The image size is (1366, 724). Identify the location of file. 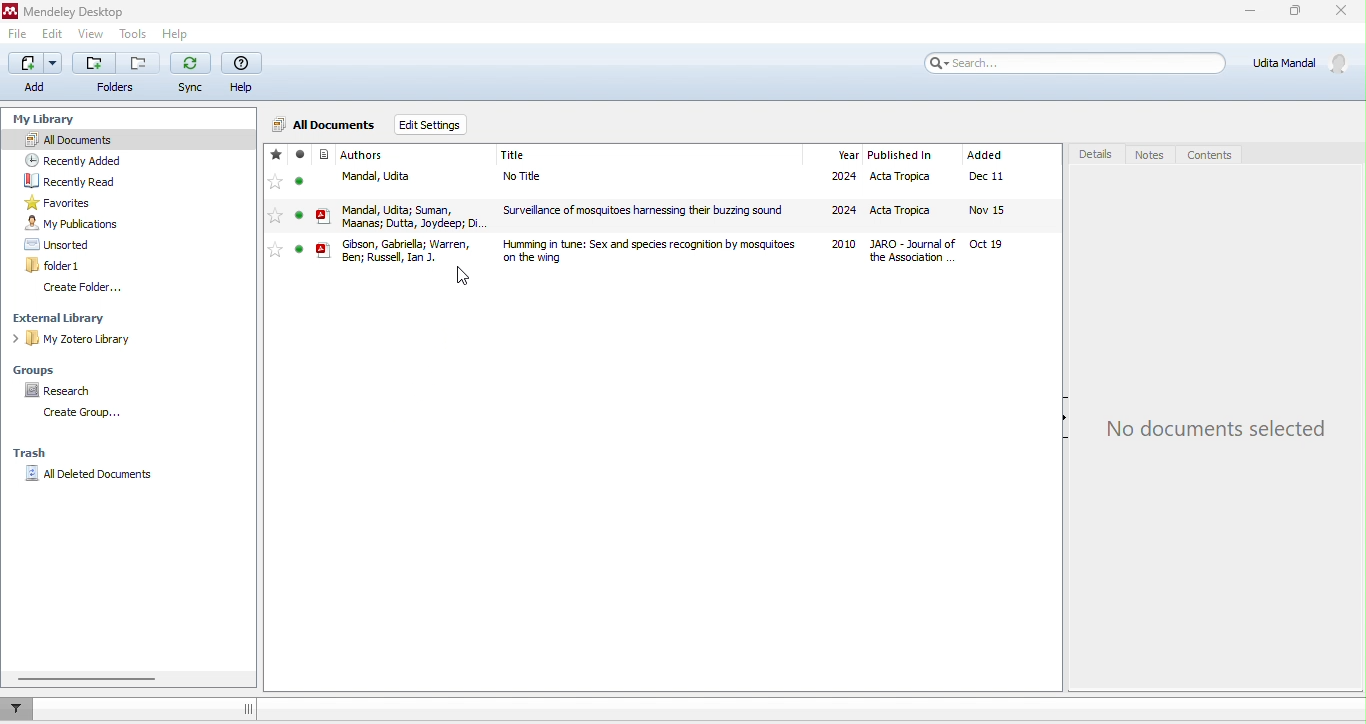
(18, 37).